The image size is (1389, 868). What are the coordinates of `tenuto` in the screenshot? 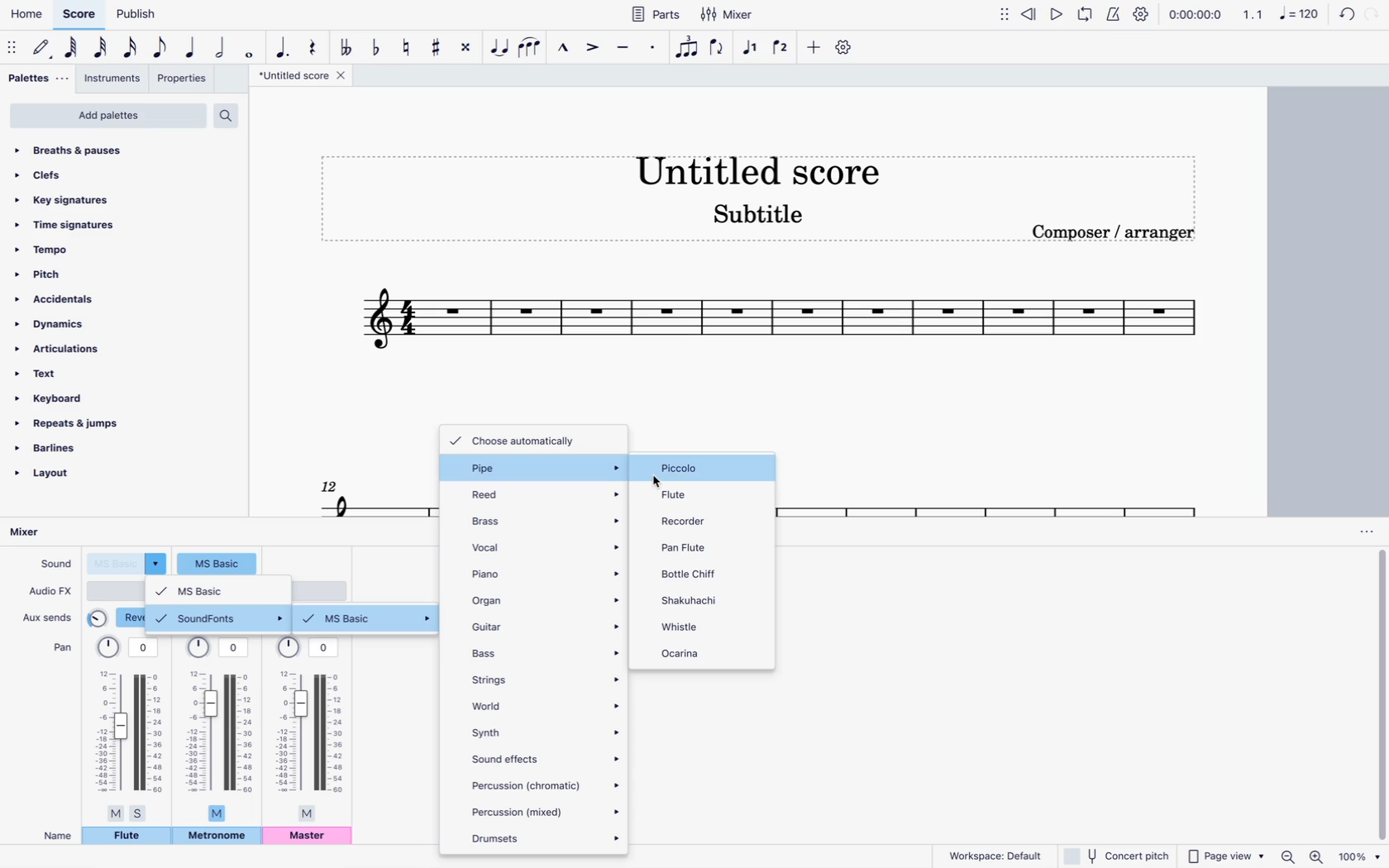 It's located at (624, 47).